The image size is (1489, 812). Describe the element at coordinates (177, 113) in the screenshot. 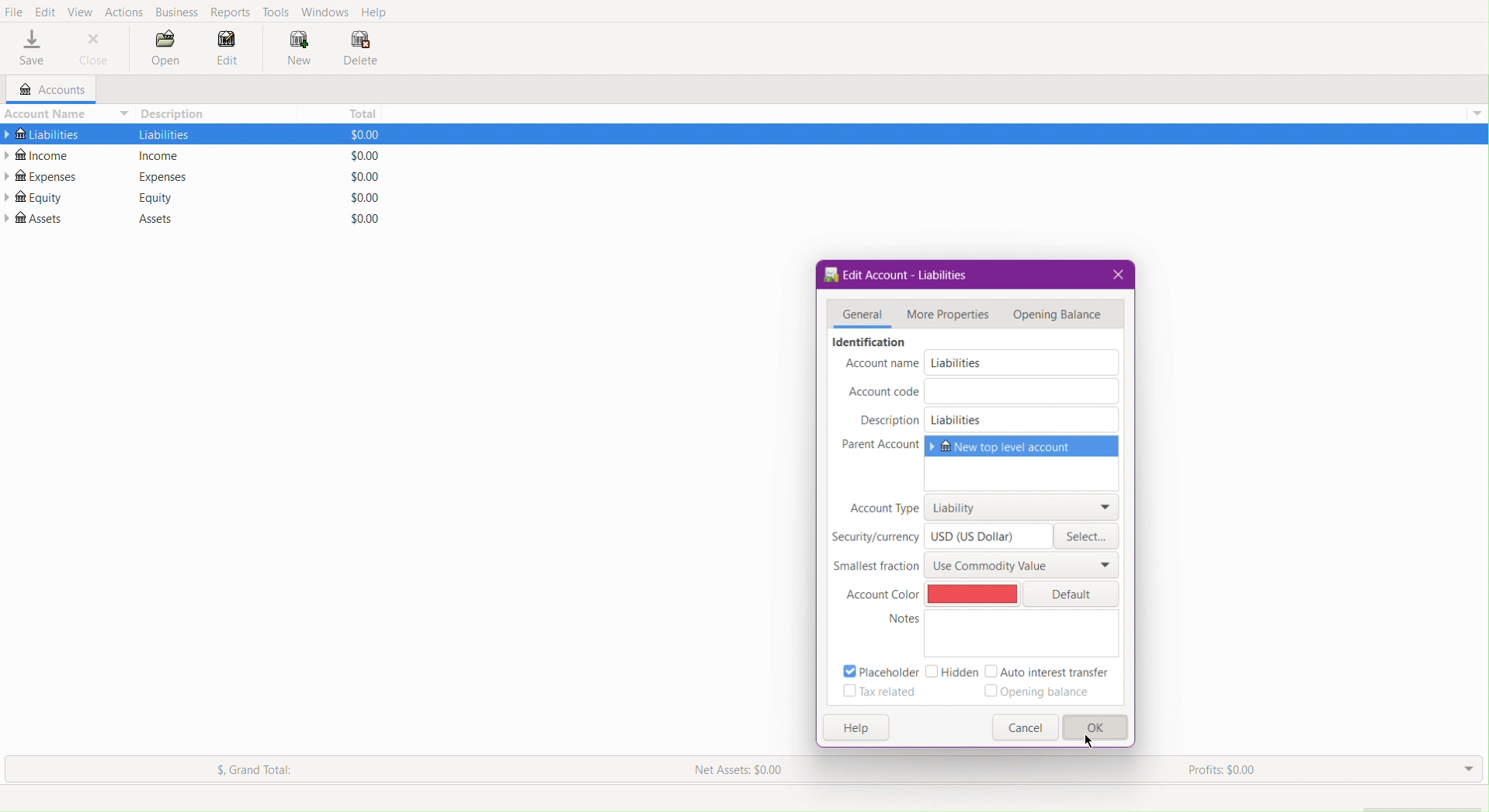

I see `Description` at that location.